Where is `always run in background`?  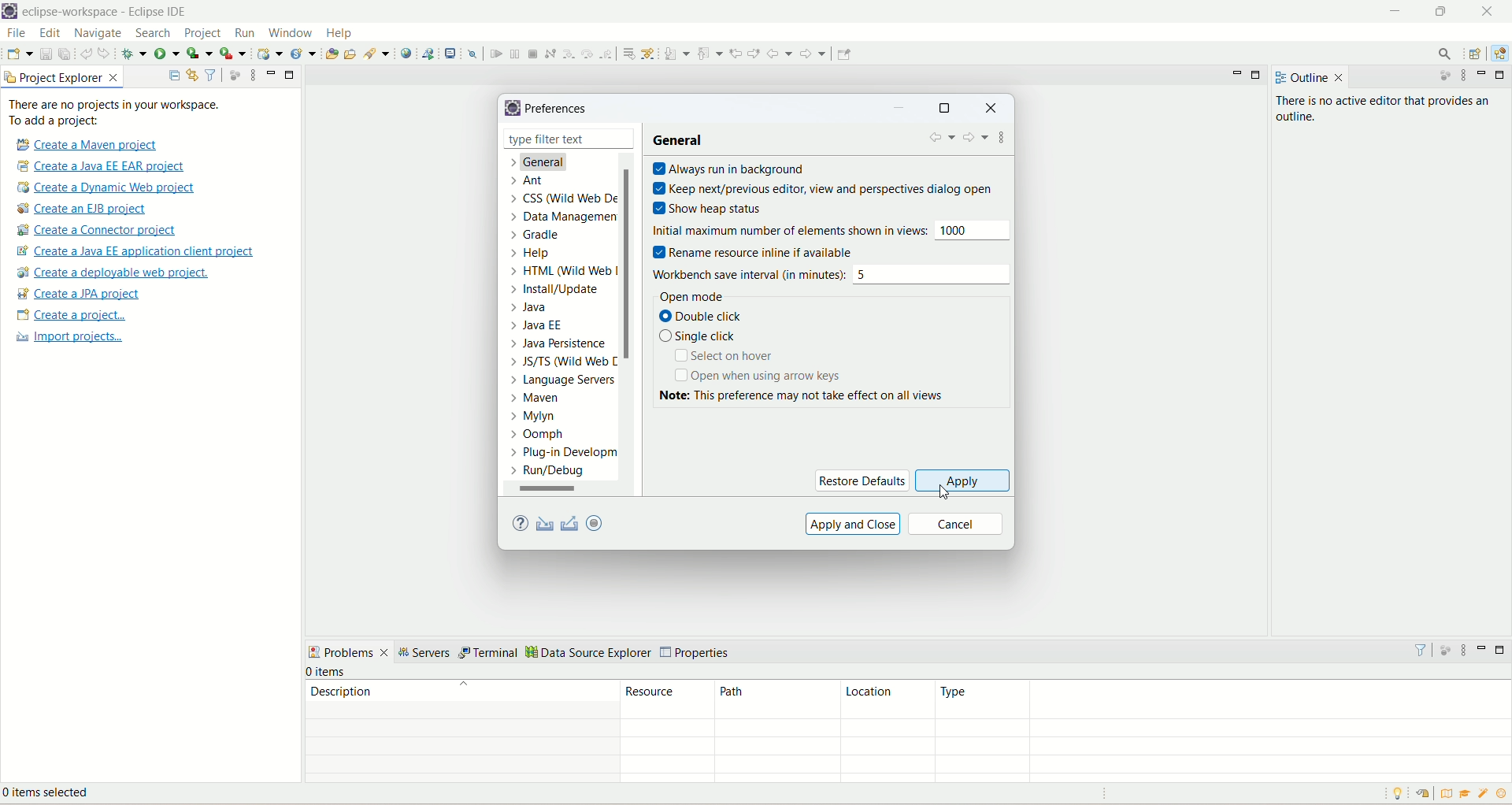
always run in background is located at coordinates (733, 169).